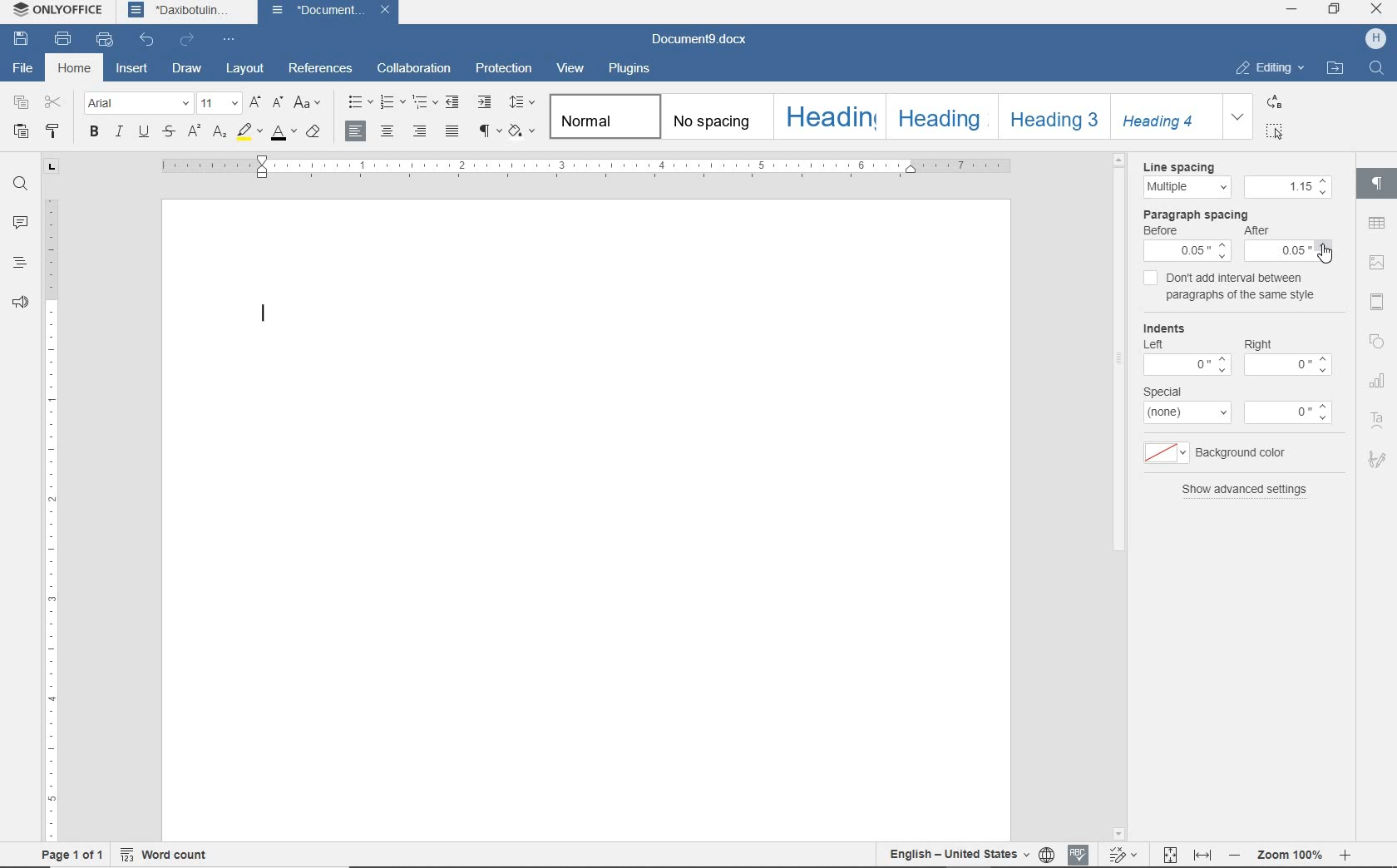 The image size is (1397, 868). Describe the element at coordinates (955, 855) in the screenshot. I see `text language` at that location.